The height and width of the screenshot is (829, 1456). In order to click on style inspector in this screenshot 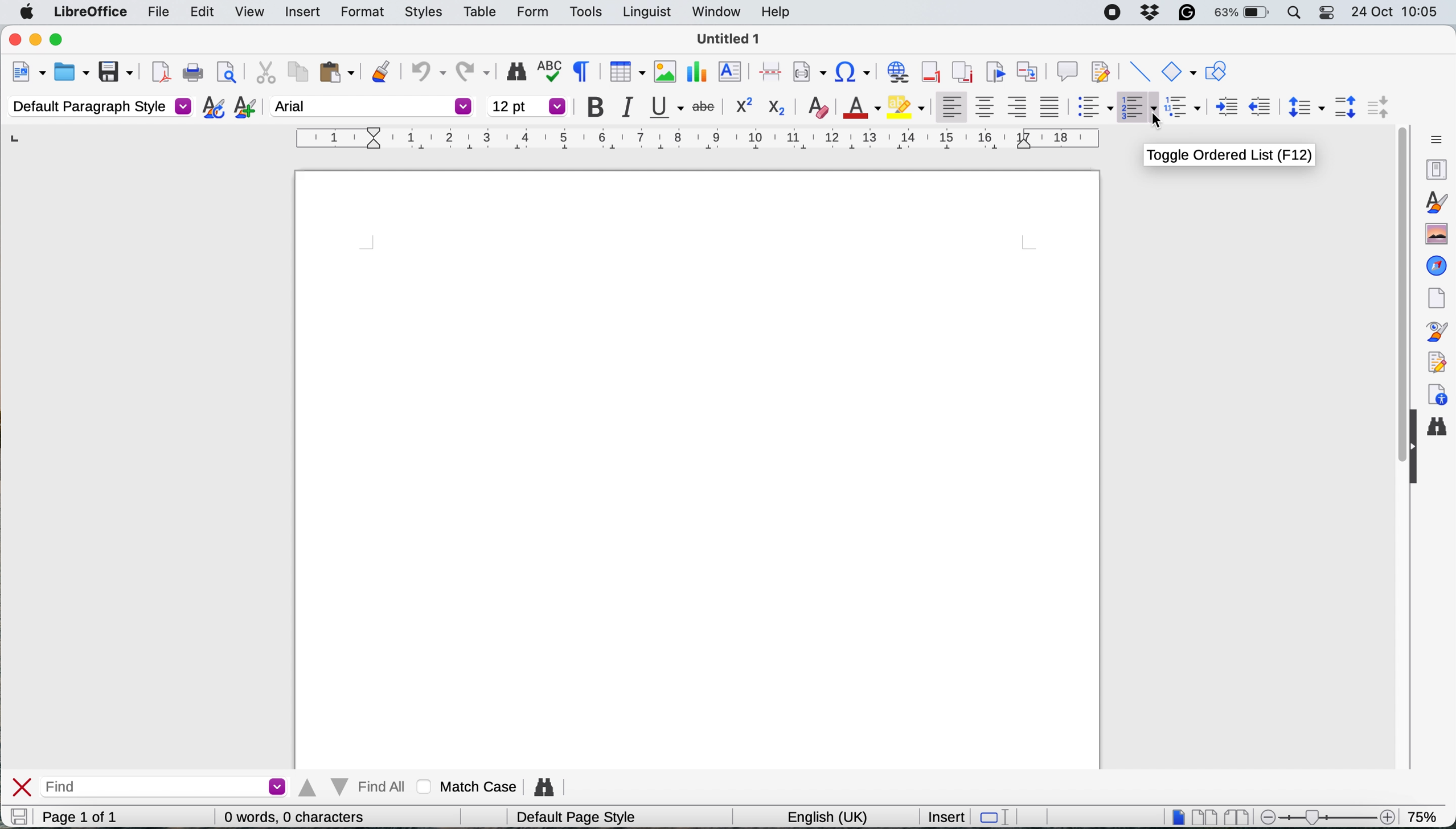, I will do `click(1433, 331)`.